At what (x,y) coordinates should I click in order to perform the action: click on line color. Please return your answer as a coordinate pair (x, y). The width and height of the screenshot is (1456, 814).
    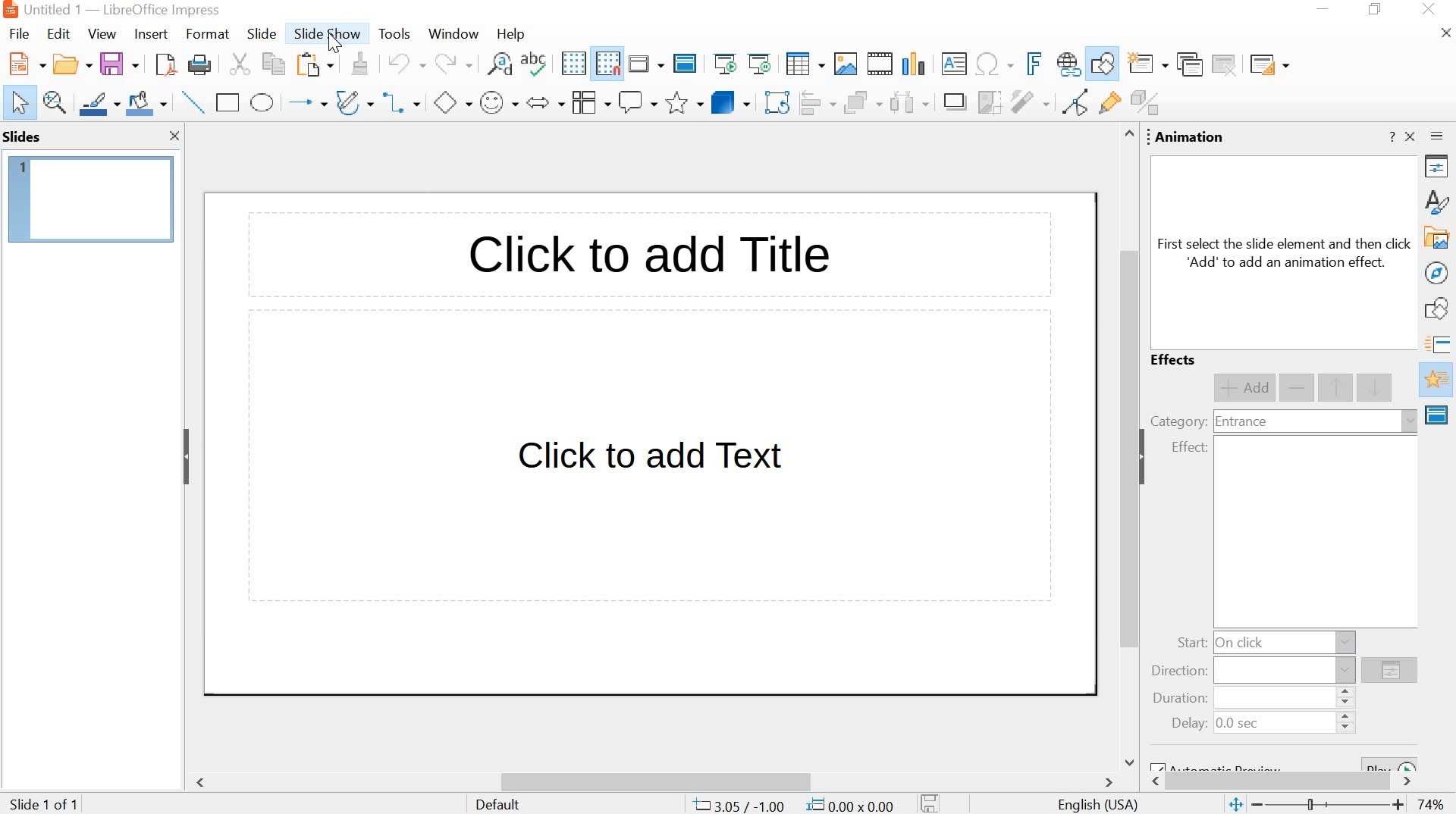
    Looking at the image, I should click on (99, 102).